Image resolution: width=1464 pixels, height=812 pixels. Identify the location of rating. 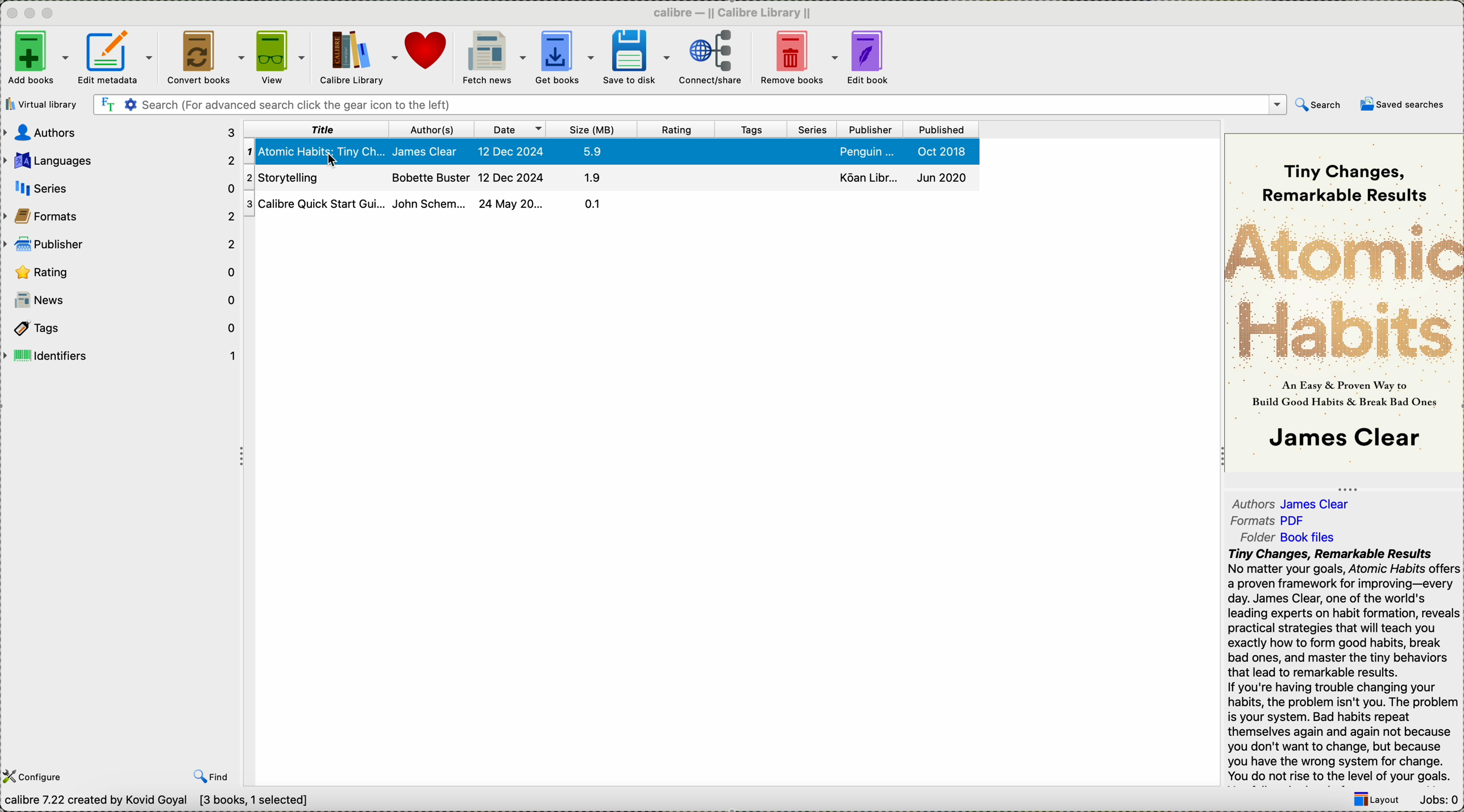
(123, 272).